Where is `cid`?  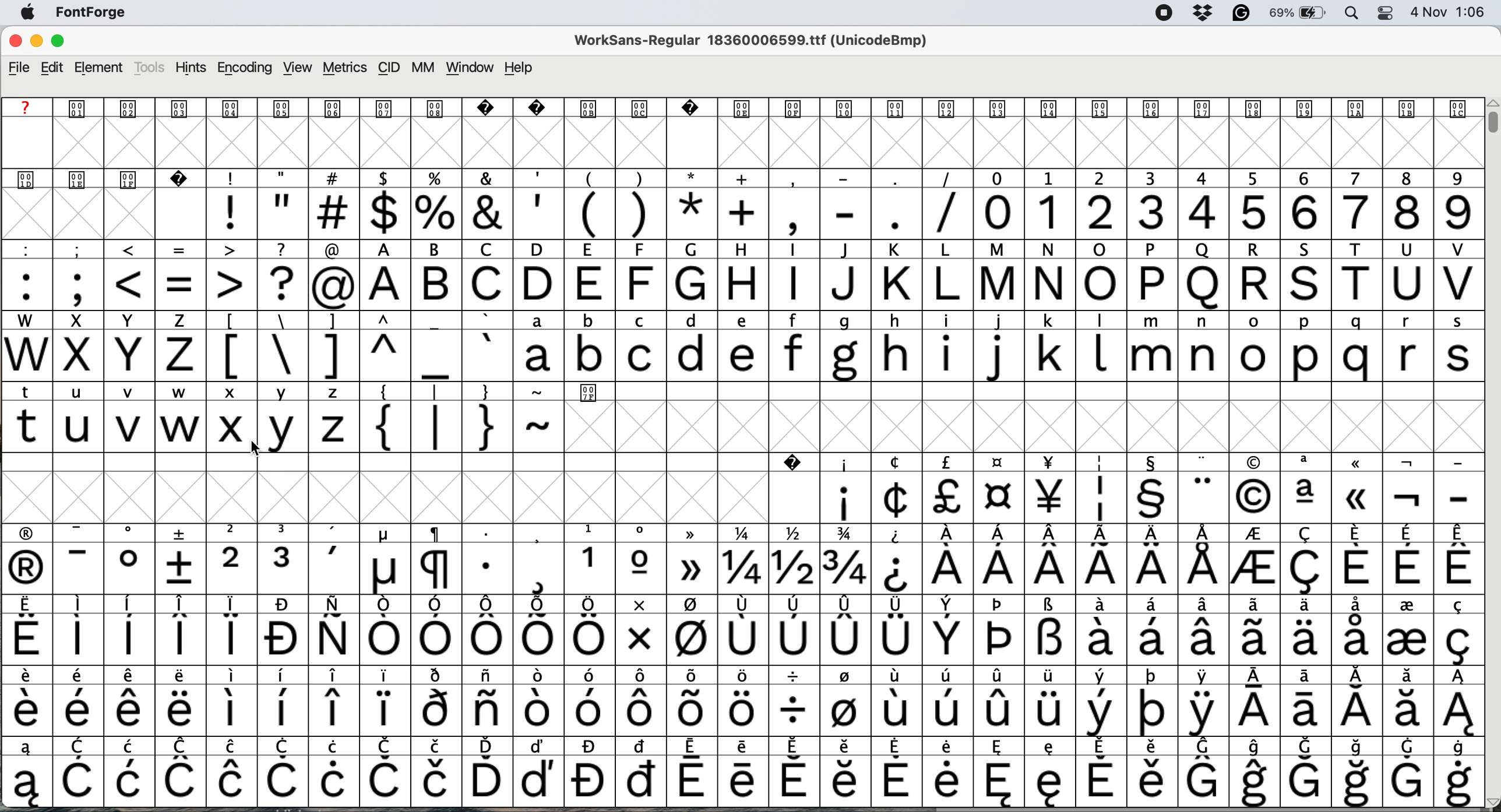
cid is located at coordinates (389, 68).